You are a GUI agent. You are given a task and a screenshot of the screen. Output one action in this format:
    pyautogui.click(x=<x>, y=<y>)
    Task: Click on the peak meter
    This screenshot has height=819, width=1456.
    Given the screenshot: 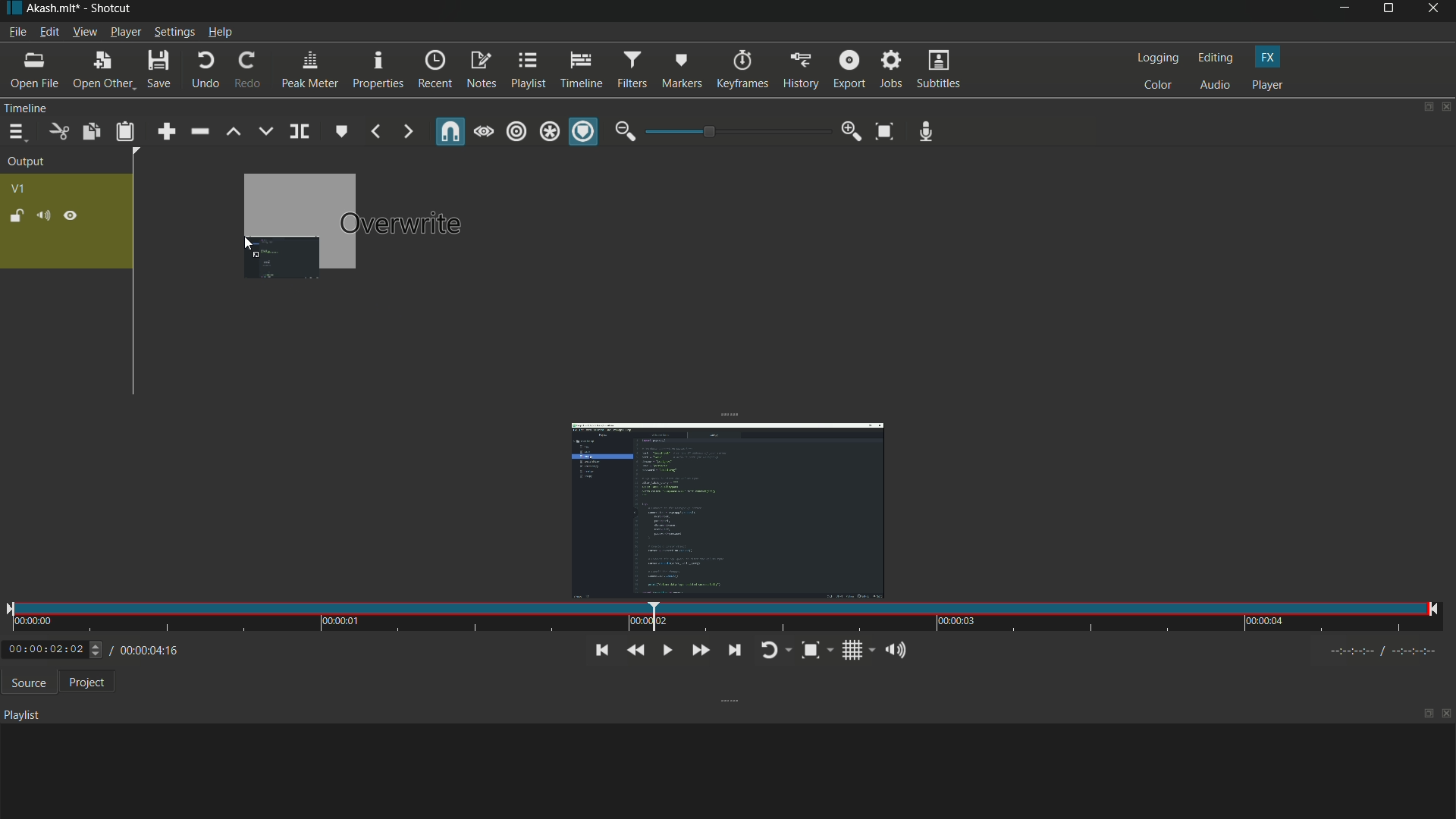 What is the action you would take?
    pyautogui.click(x=308, y=70)
    